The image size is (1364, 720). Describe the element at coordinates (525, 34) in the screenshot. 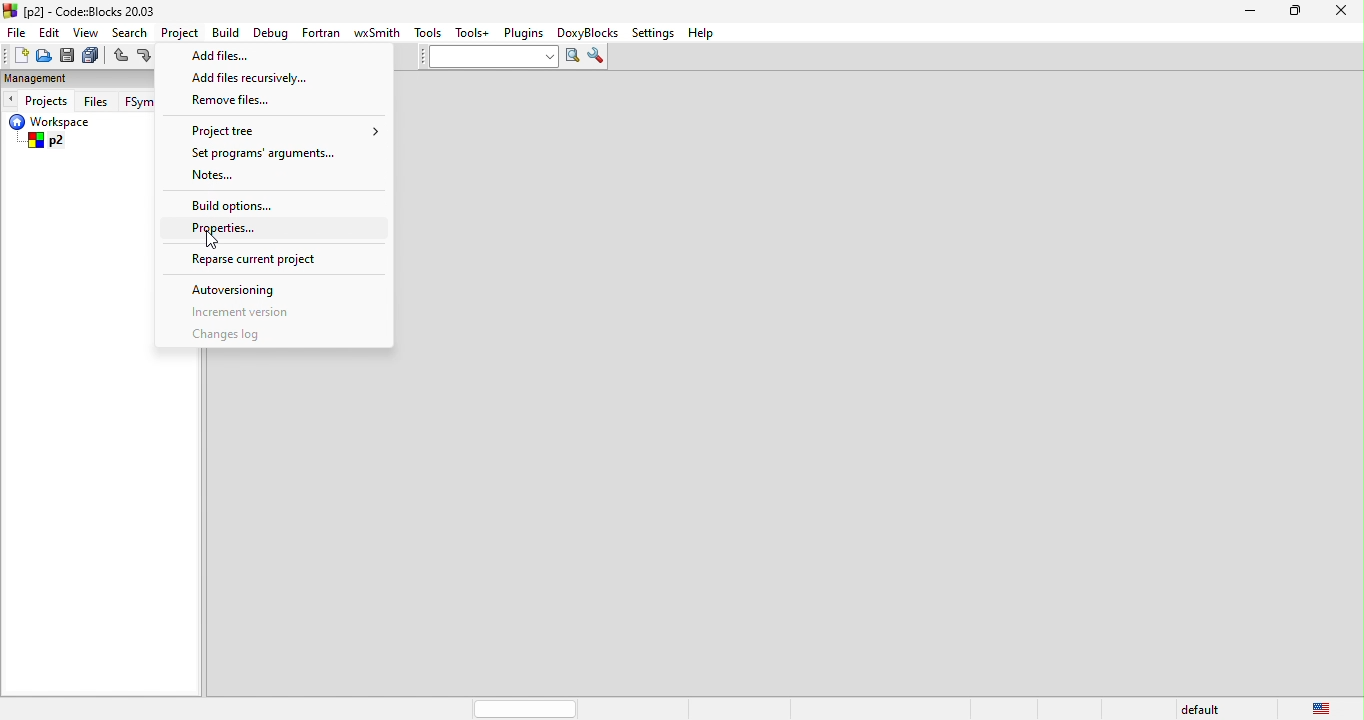

I see `plugins` at that location.